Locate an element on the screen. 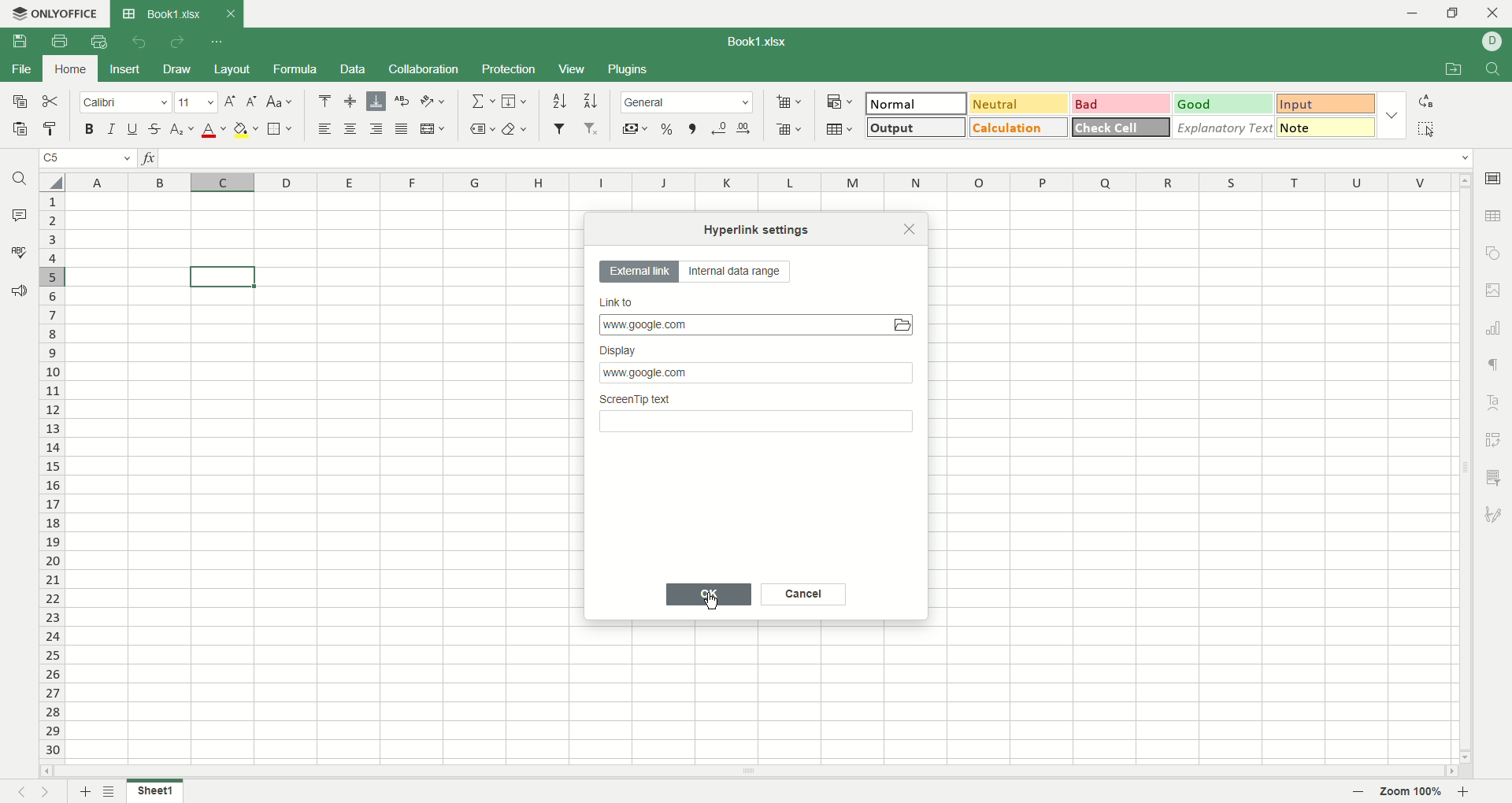 Image resolution: width=1512 pixels, height=803 pixels. Book1.xslx is located at coordinates (765, 43).